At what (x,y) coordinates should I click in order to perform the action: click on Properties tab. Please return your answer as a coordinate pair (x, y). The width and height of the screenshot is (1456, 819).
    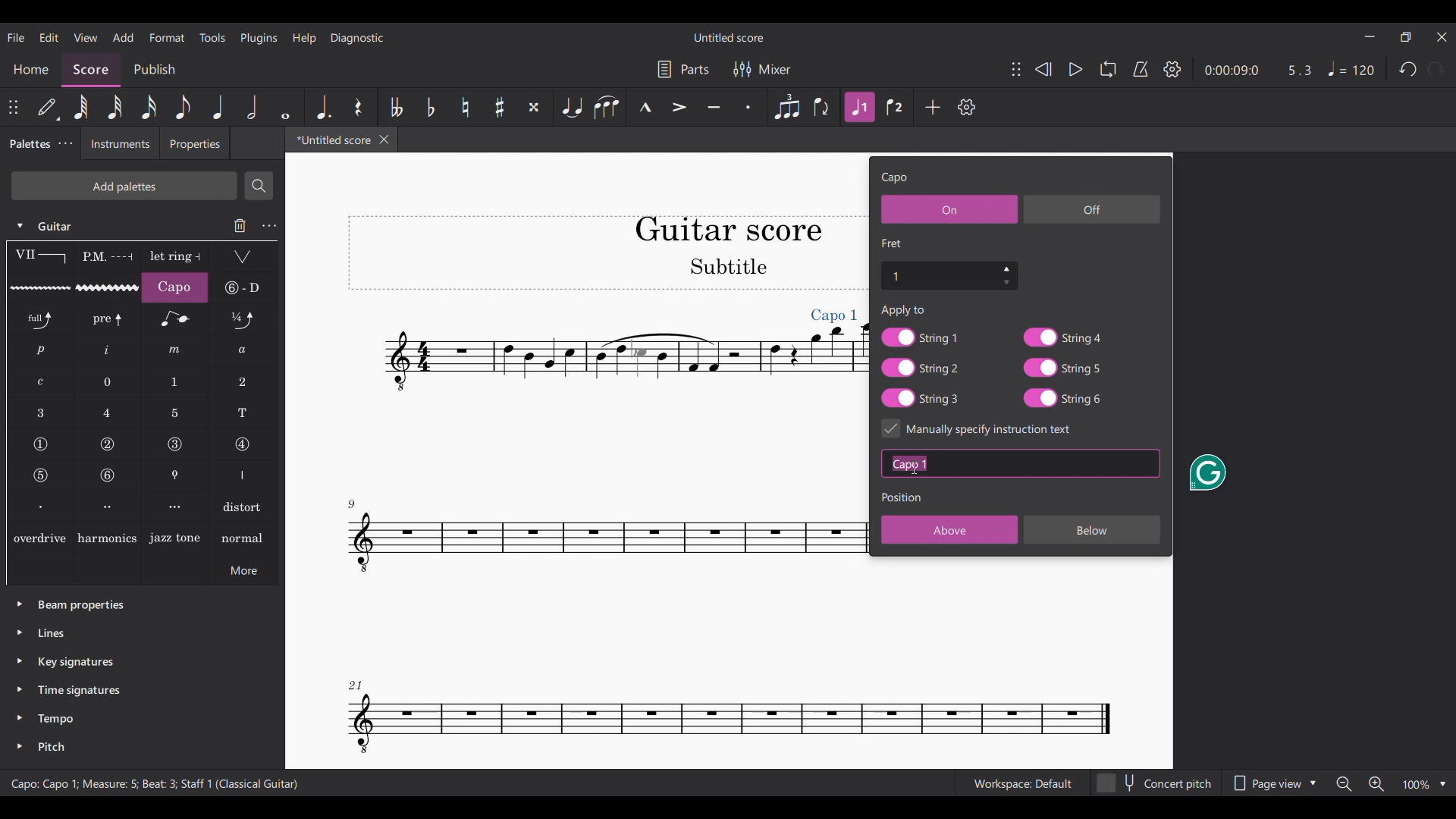
    Looking at the image, I should click on (195, 143).